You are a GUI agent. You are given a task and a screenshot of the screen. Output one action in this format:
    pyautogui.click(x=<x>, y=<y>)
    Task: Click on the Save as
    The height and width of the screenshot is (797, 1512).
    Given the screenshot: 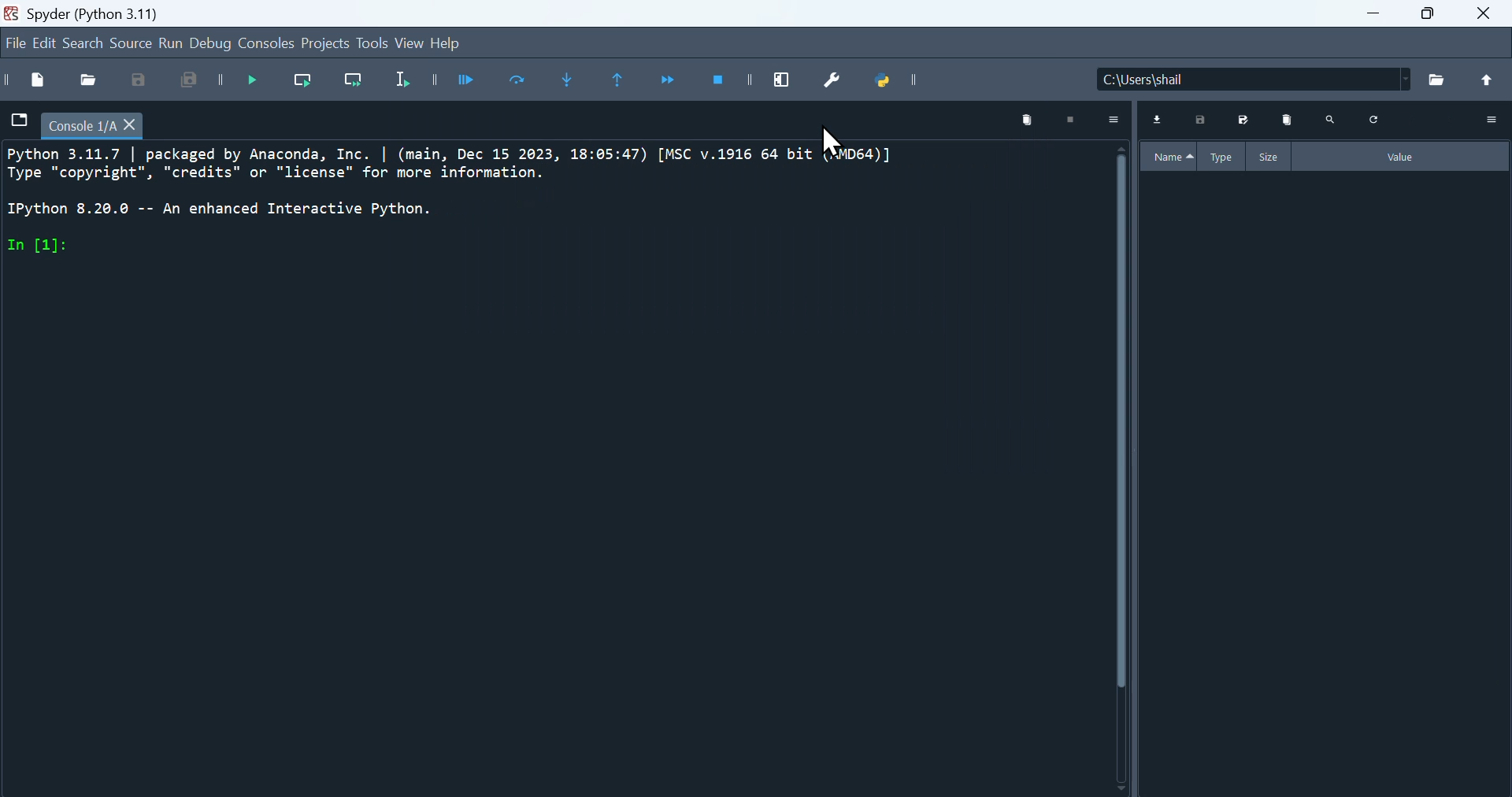 What is the action you would take?
    pyautogui.click(x=1247, y=121)
    